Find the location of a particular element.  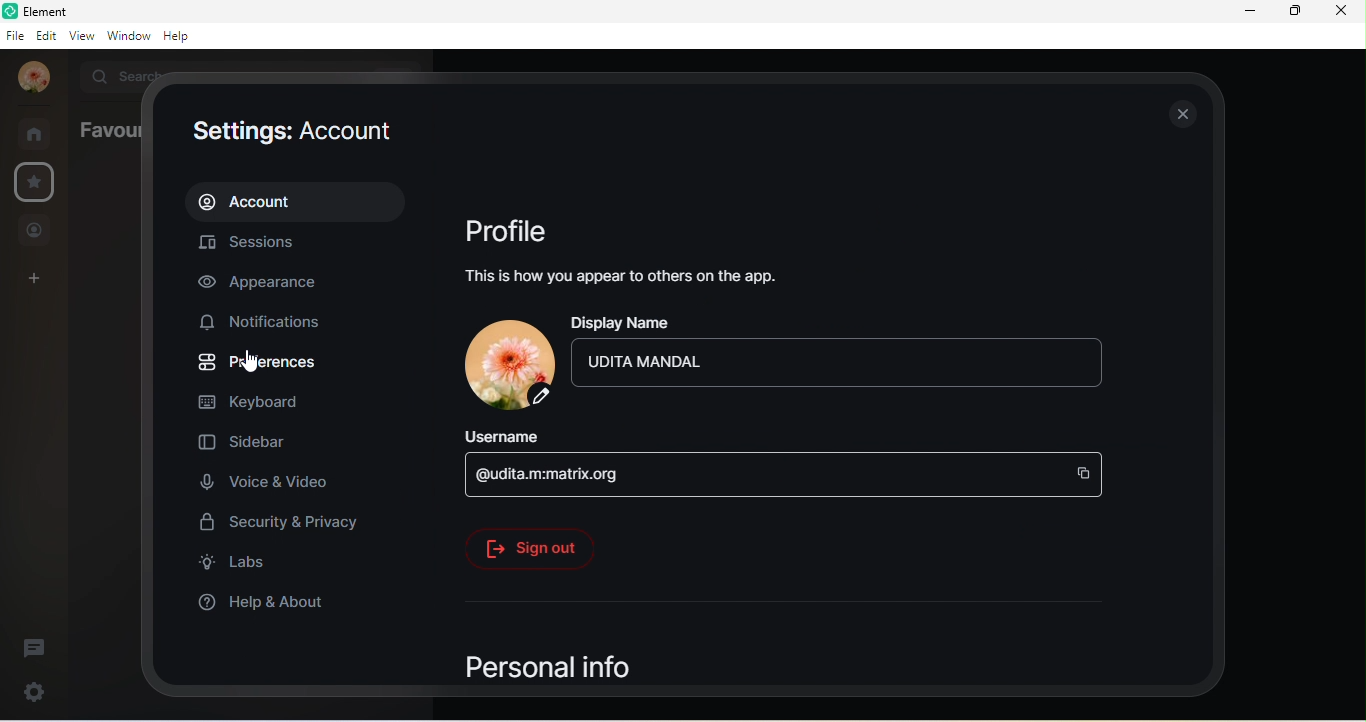

file is located at coordinates (15, 35).